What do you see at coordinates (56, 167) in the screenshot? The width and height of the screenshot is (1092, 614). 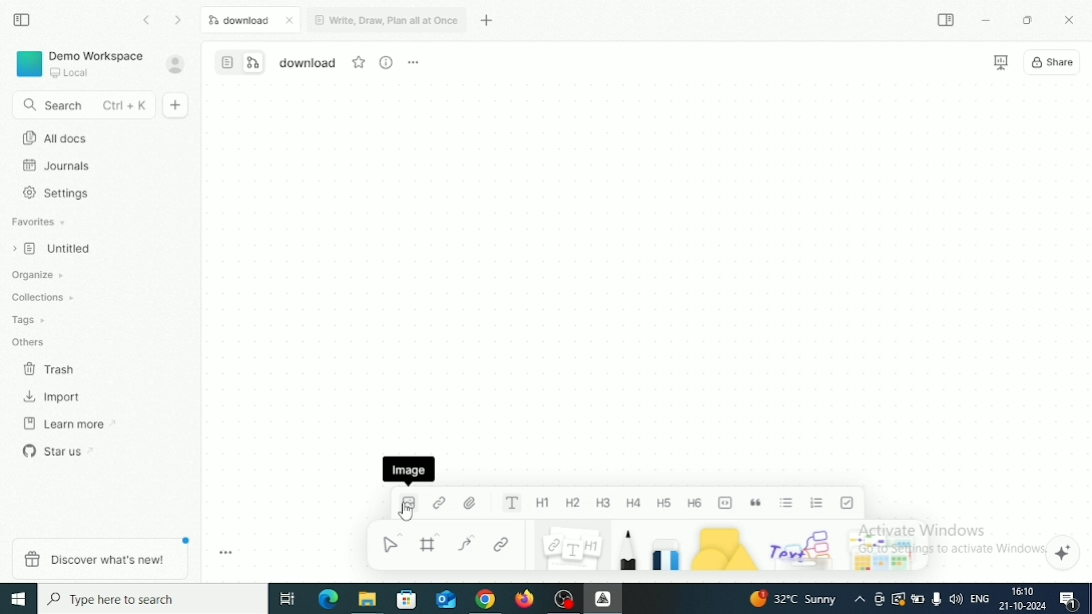 I see `Journals` at bounding box center [56, 167].